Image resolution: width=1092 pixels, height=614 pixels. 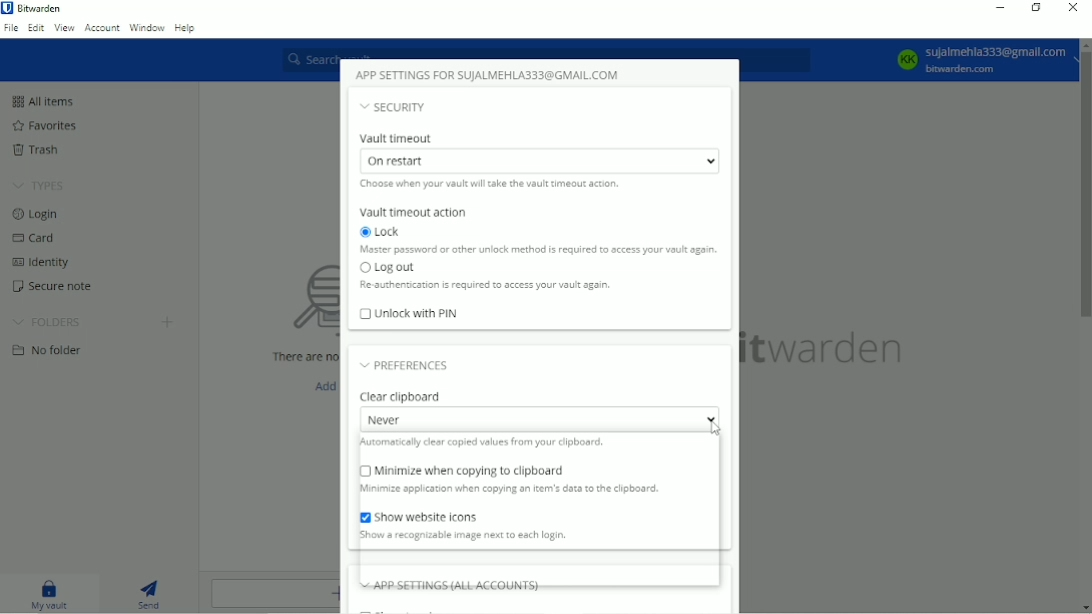 I want to click on File, so click(x=13, y=28).